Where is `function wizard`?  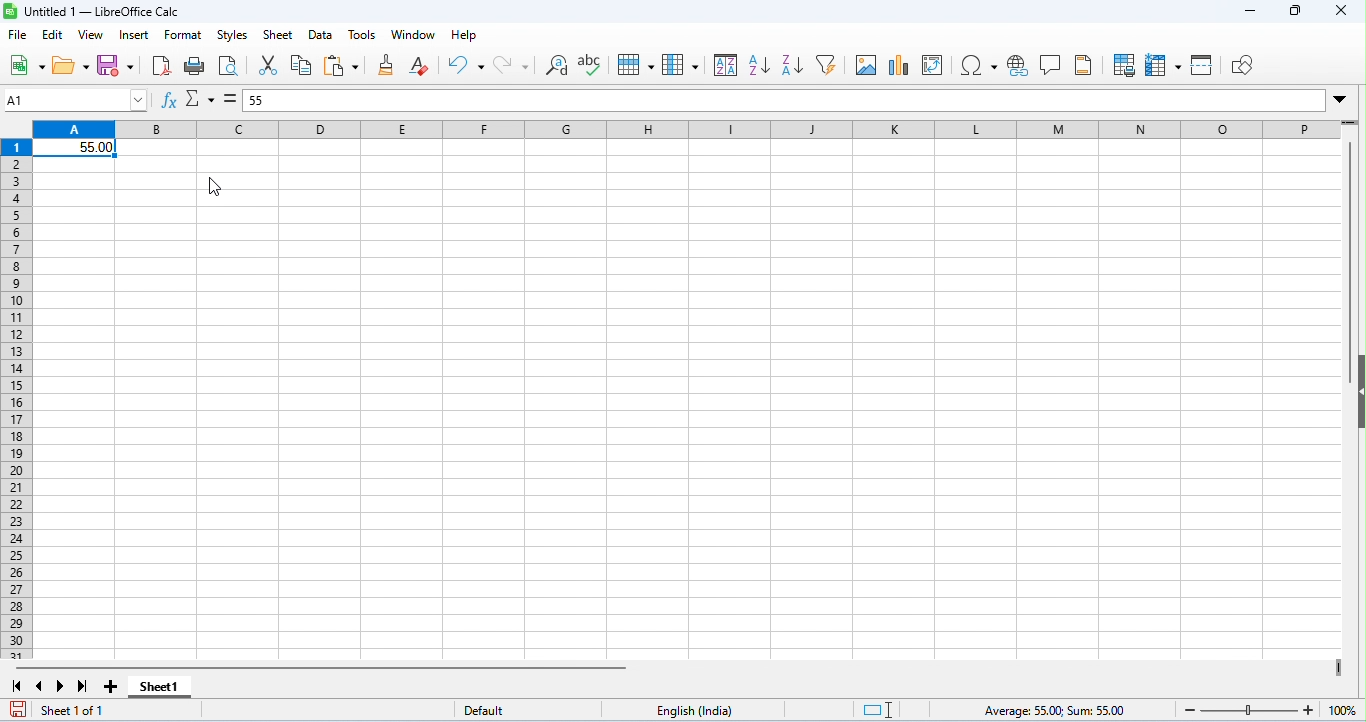 function wizard is located at coordinates (171, 101).